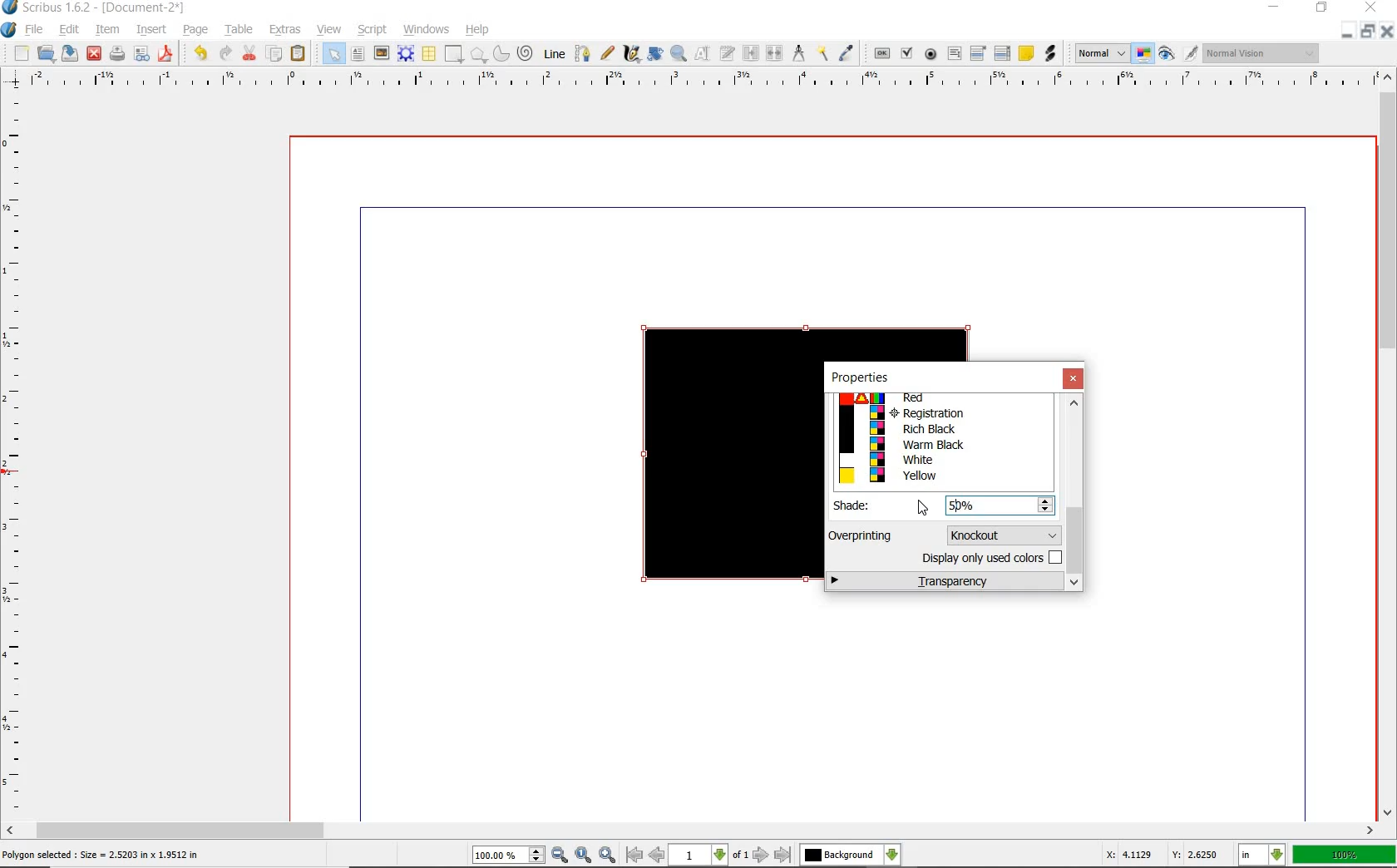 This screenshot has width=1397, height=868. I want to click on ruler, so click(17, 455).